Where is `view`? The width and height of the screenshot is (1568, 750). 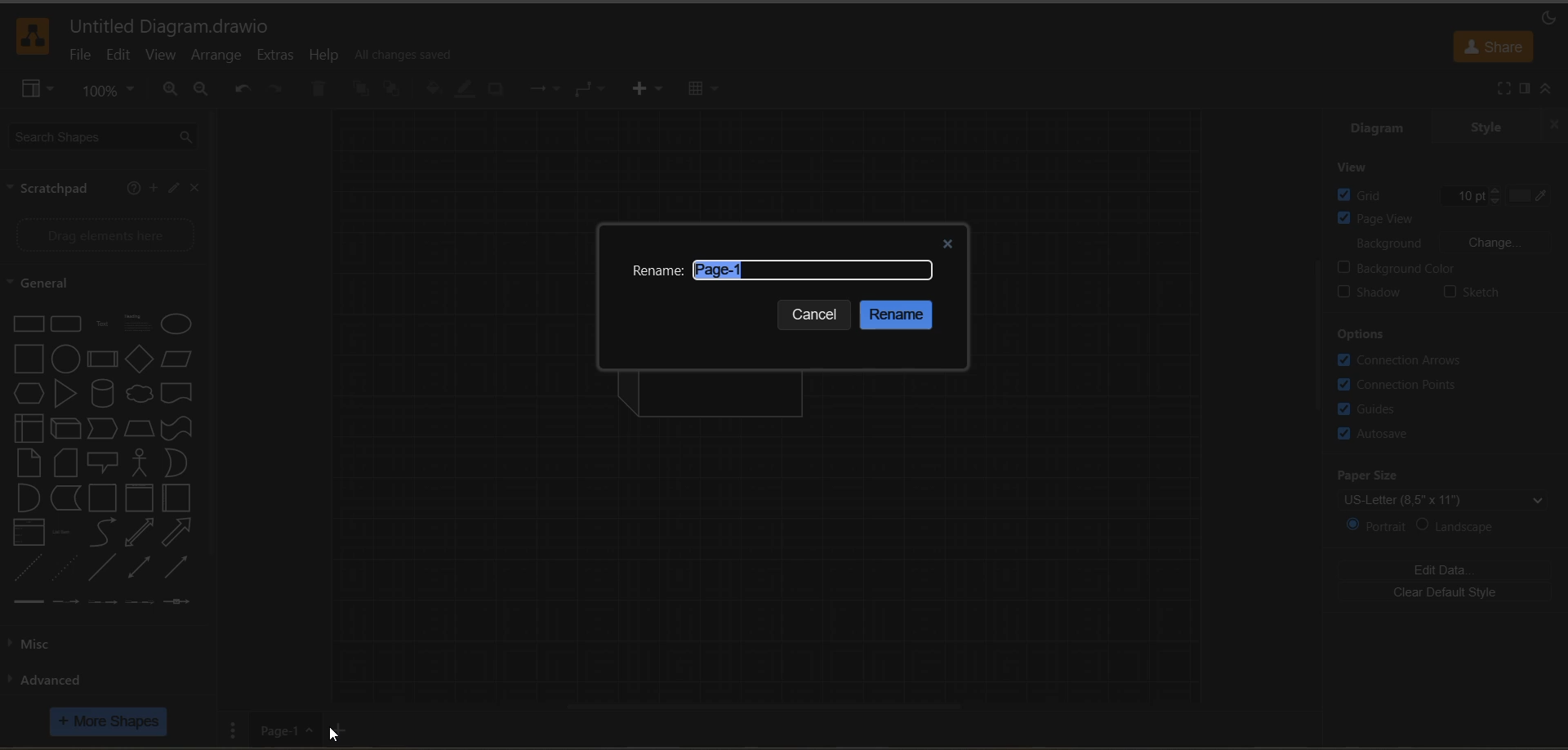 view is located at coordinates (161, 56).